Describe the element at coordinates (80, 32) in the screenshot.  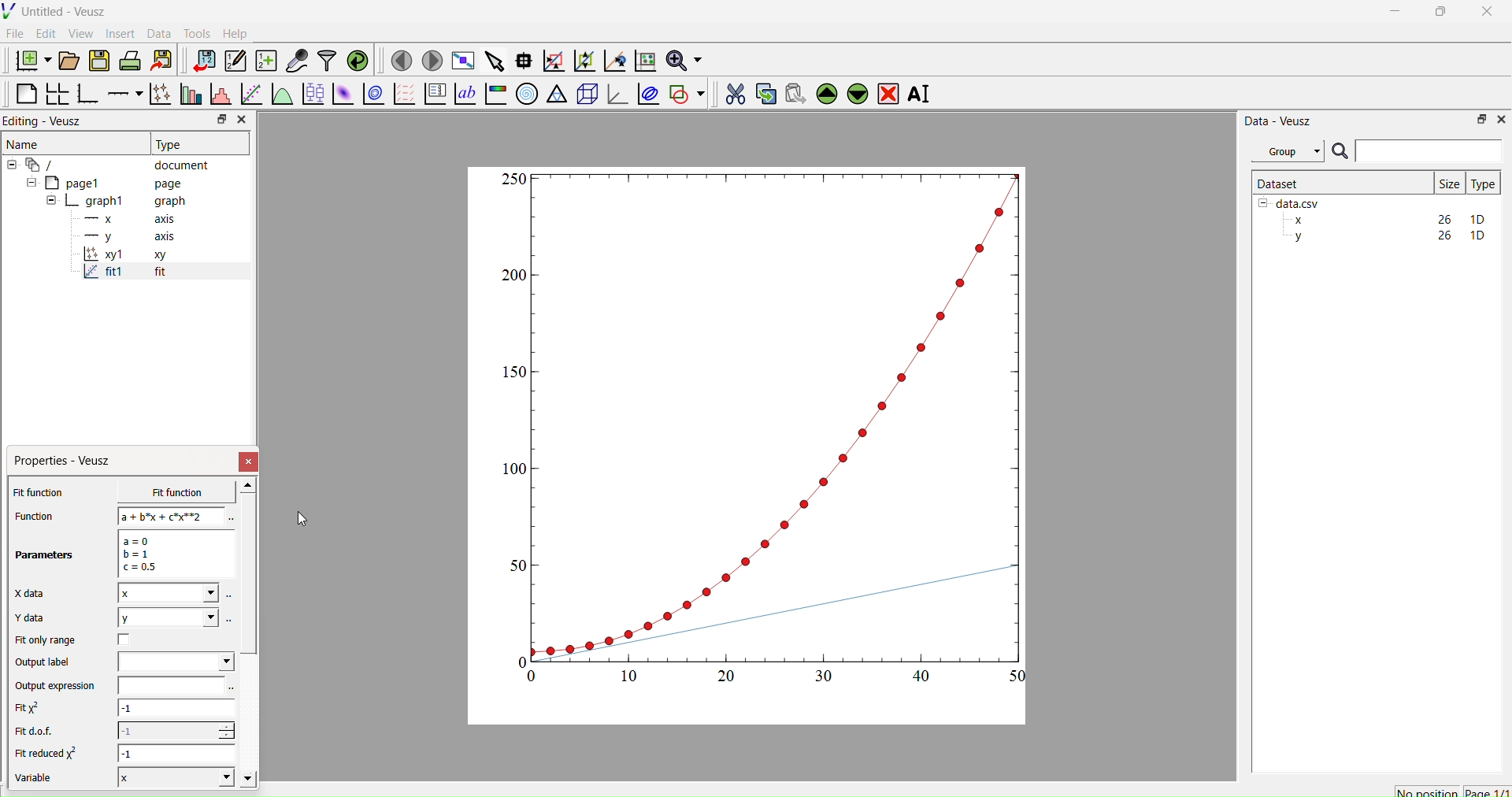
I see `View` at that location.